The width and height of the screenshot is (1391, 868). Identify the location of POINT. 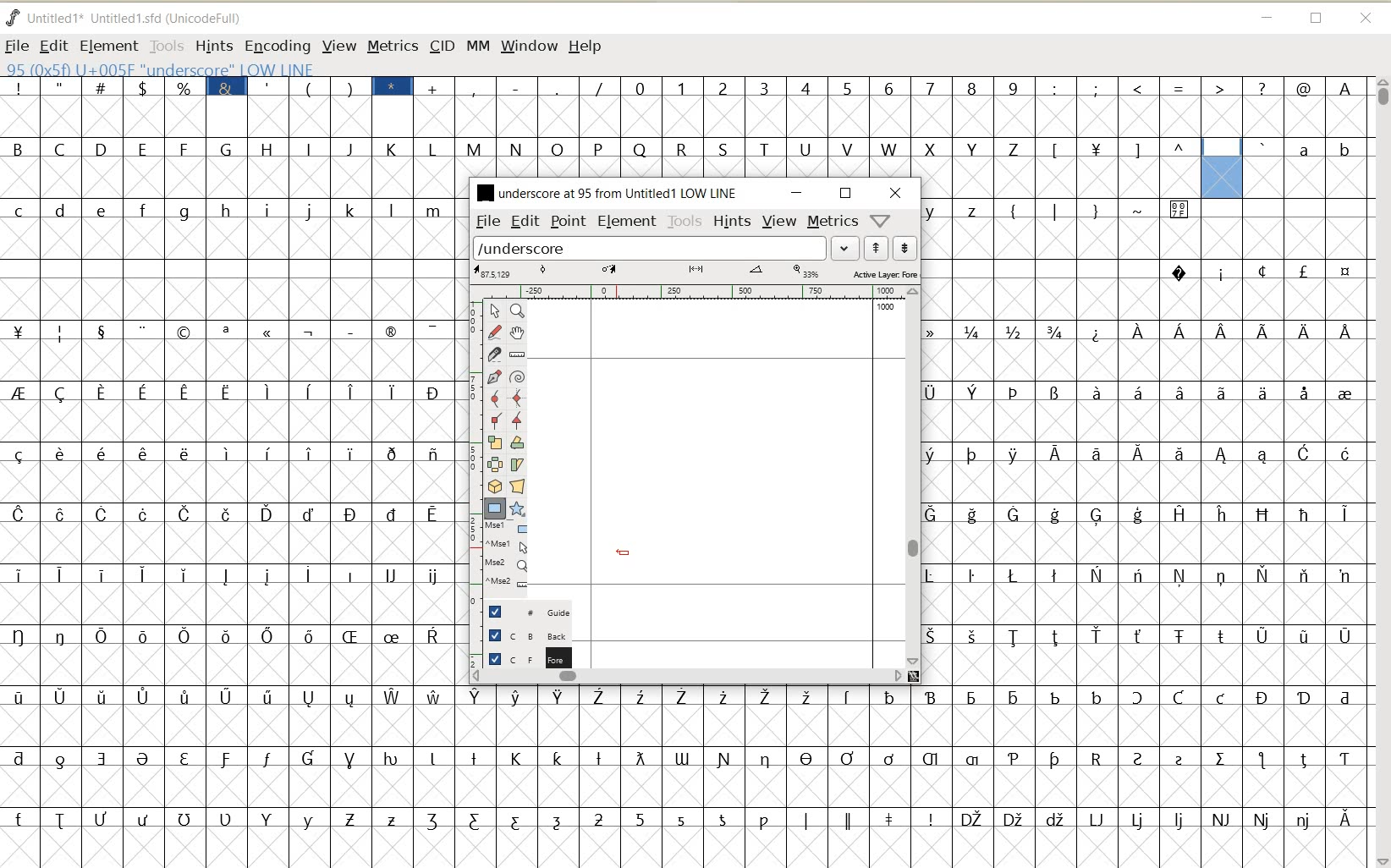
(569, 223).